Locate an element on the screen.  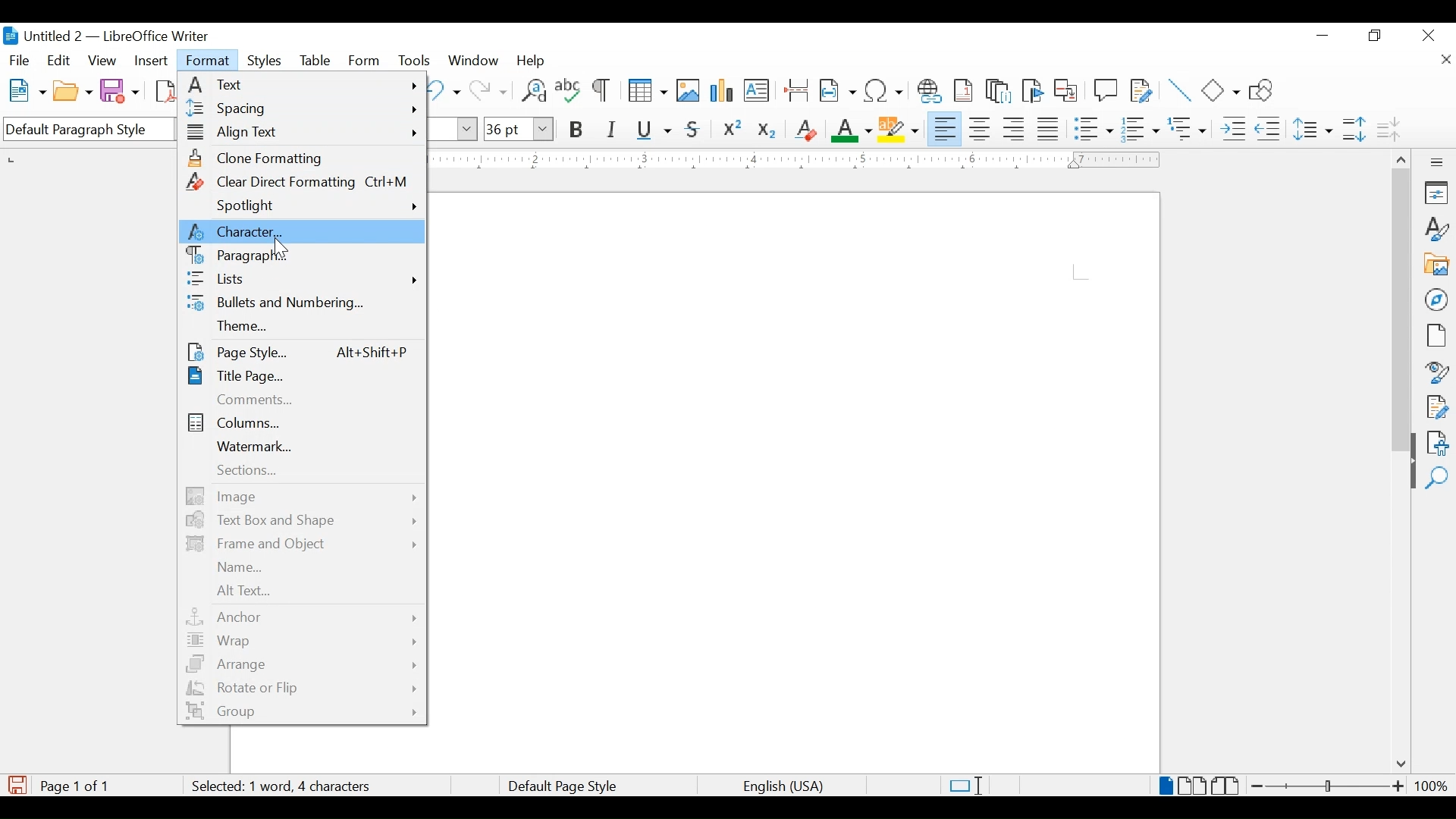
insert is located at coordinates (150, 61).